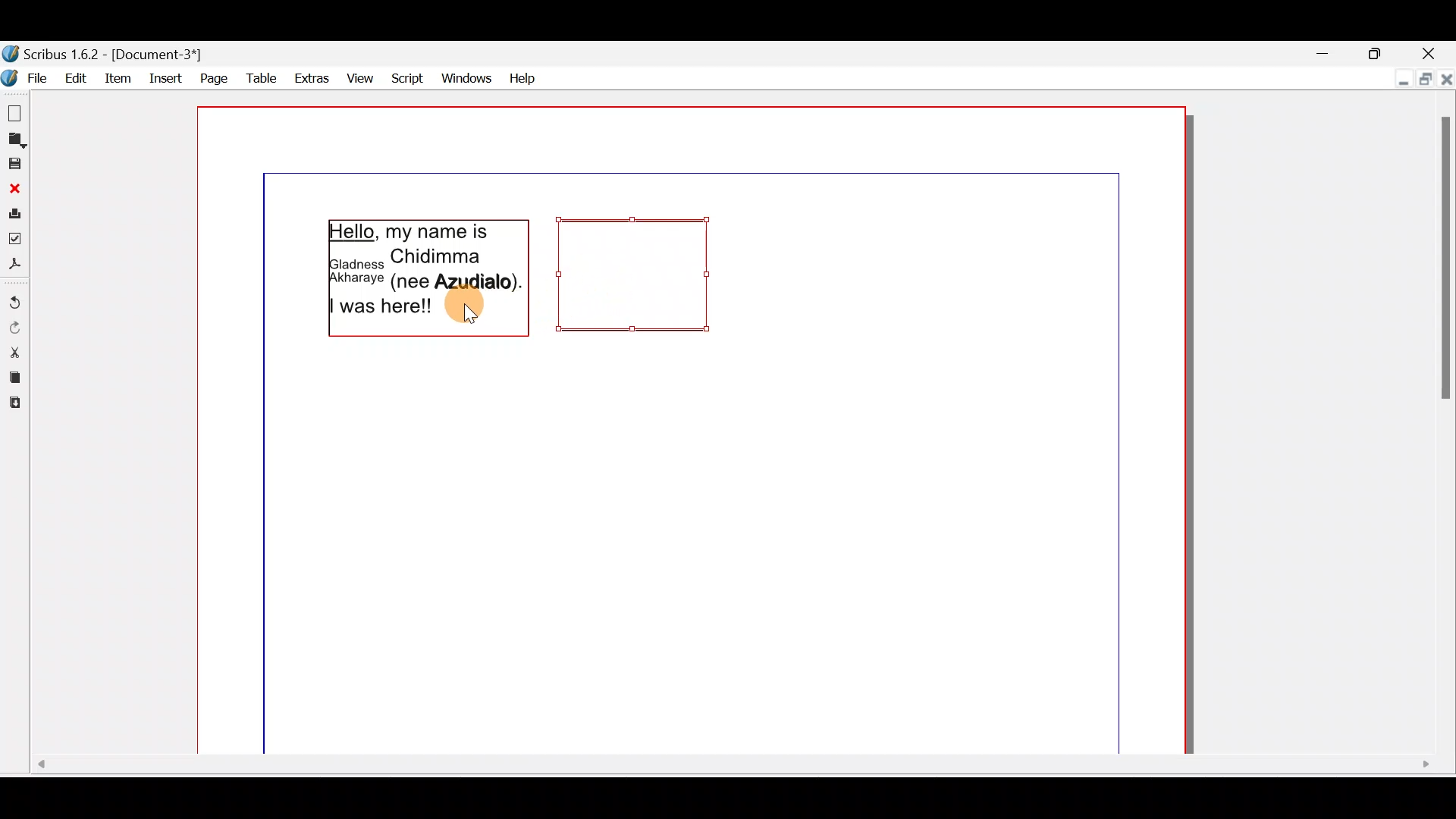 This screenshot has height=819, width=1456. I want to click on Windows, so click(467, 77).